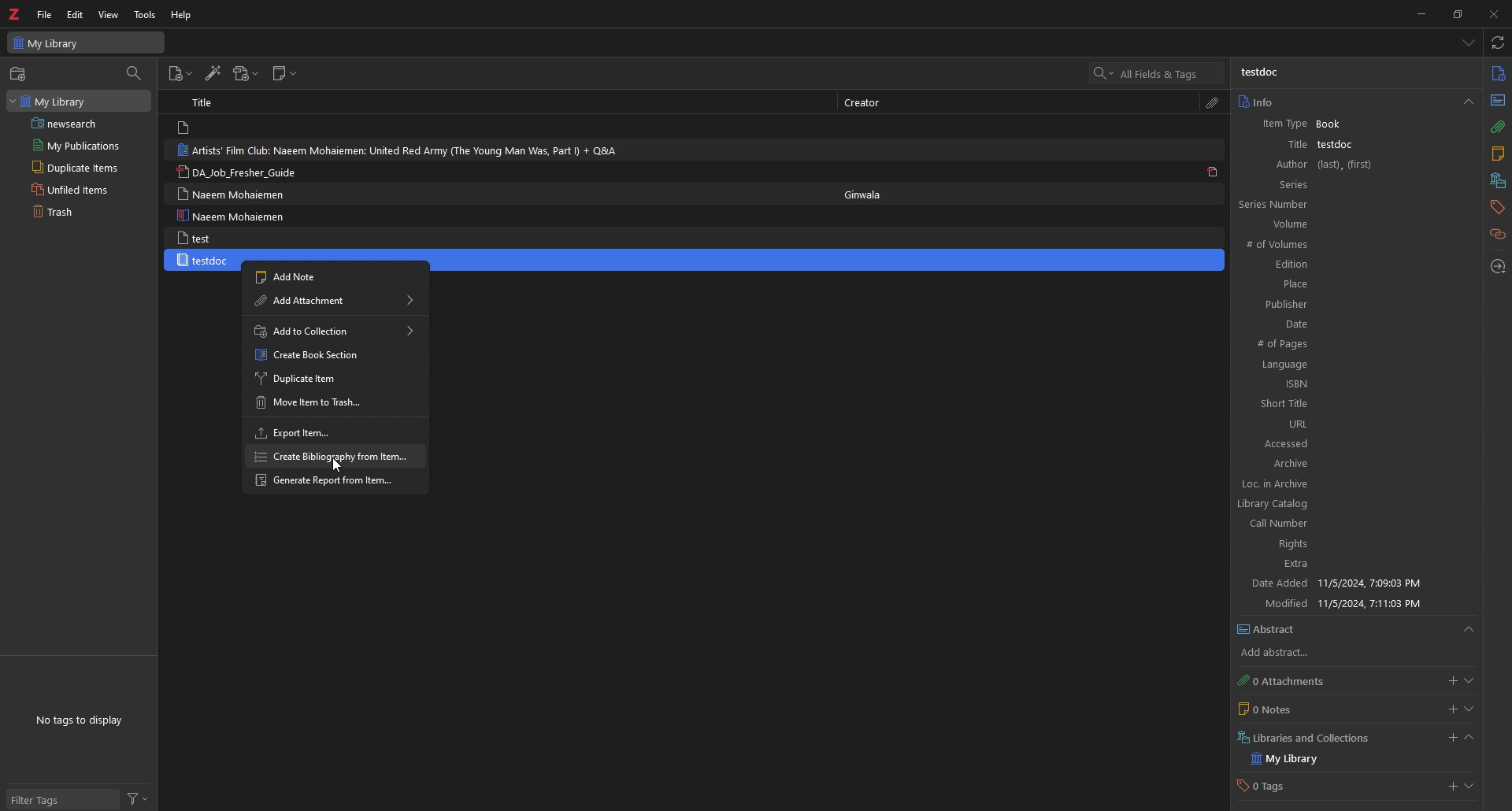 Image resolution: width=1512 pixels, height=811 pixels. I want to click on Library Catalog, so click(1342, 502).